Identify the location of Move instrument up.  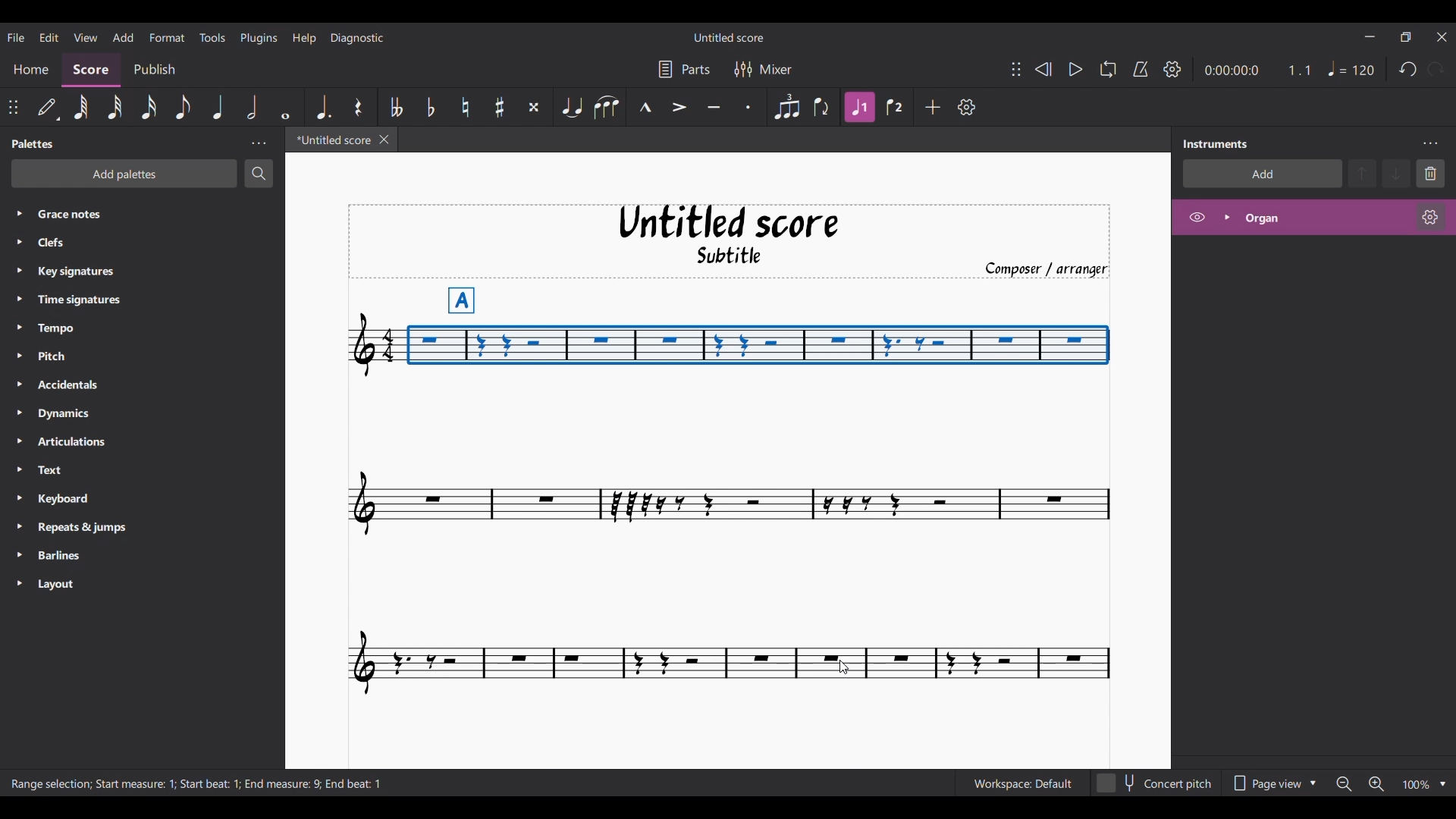
(1363, 173).